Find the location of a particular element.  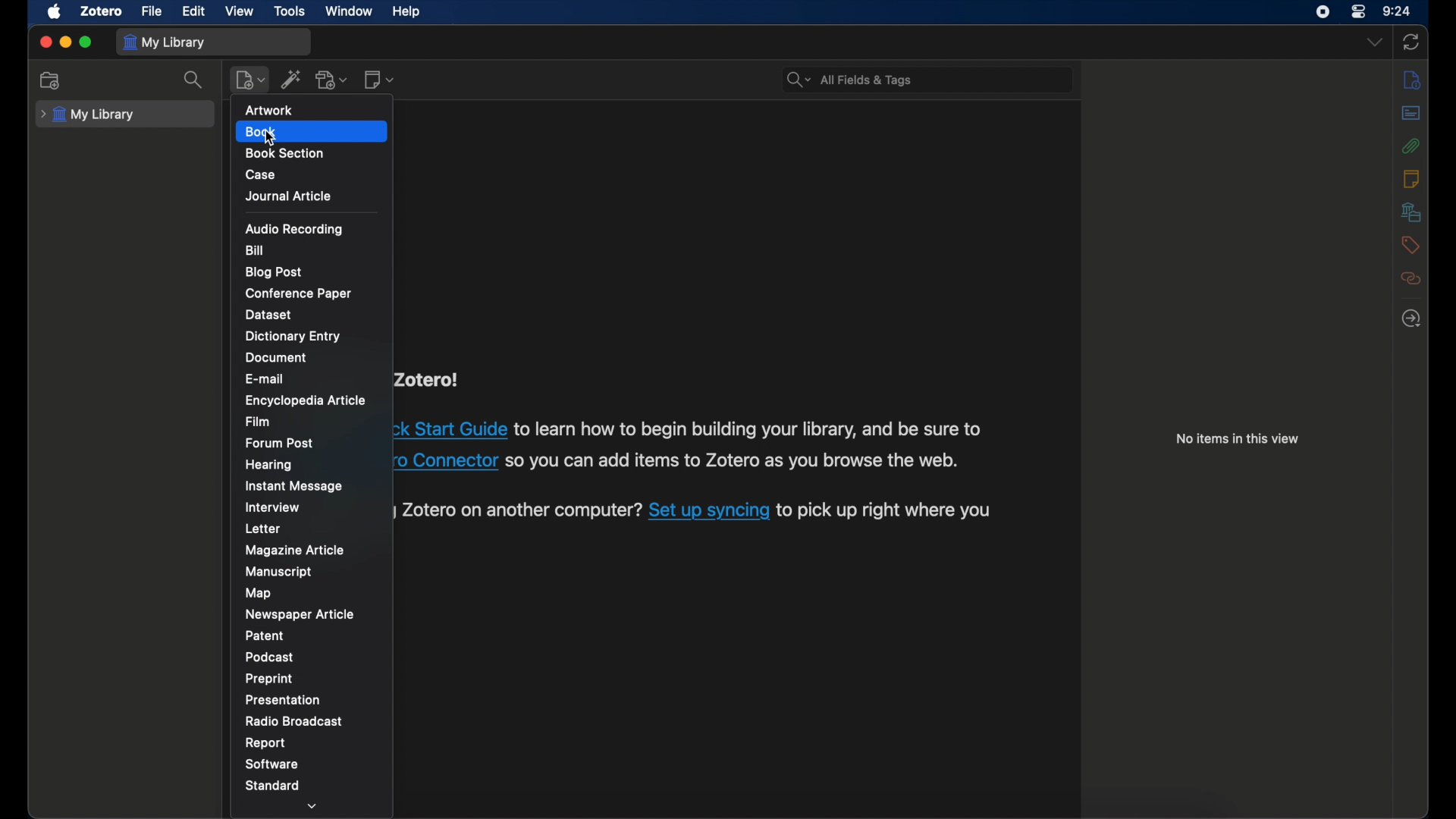

my library is located at coordinates (87, 115).